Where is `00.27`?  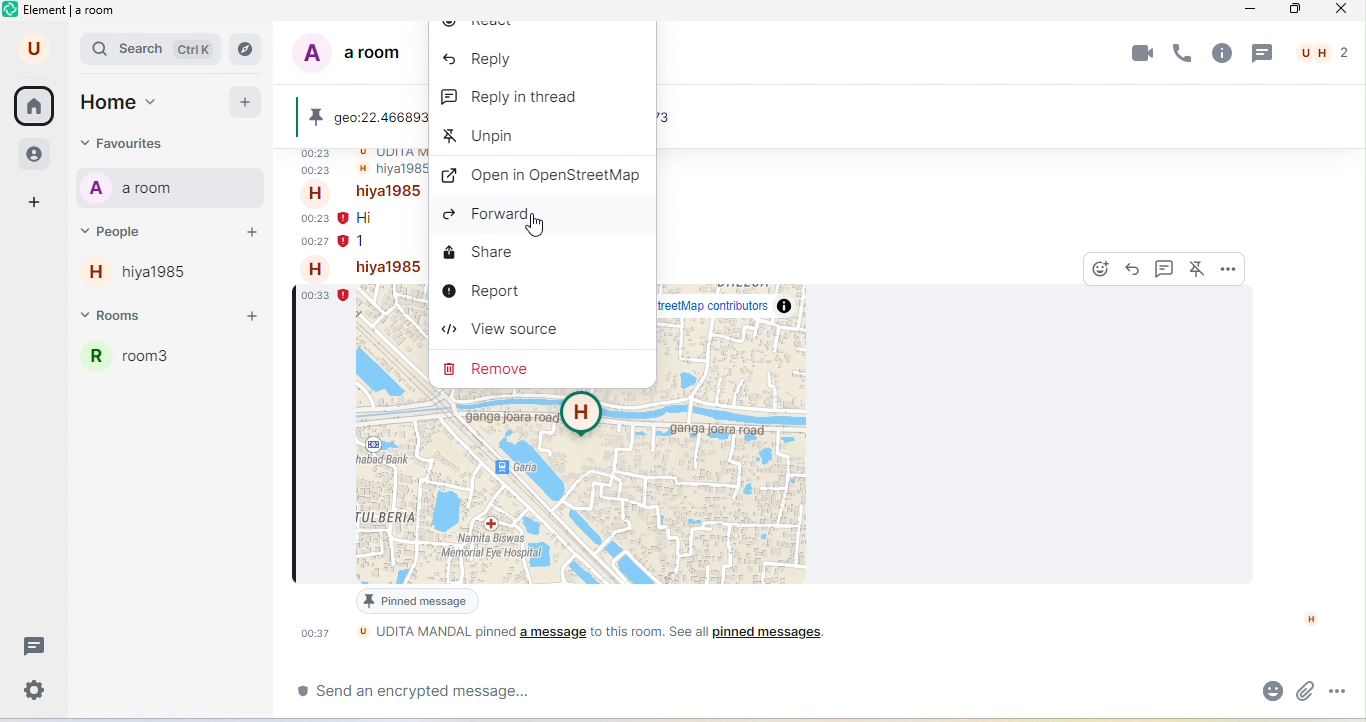 00.27 is located at coordinates (313, 243).